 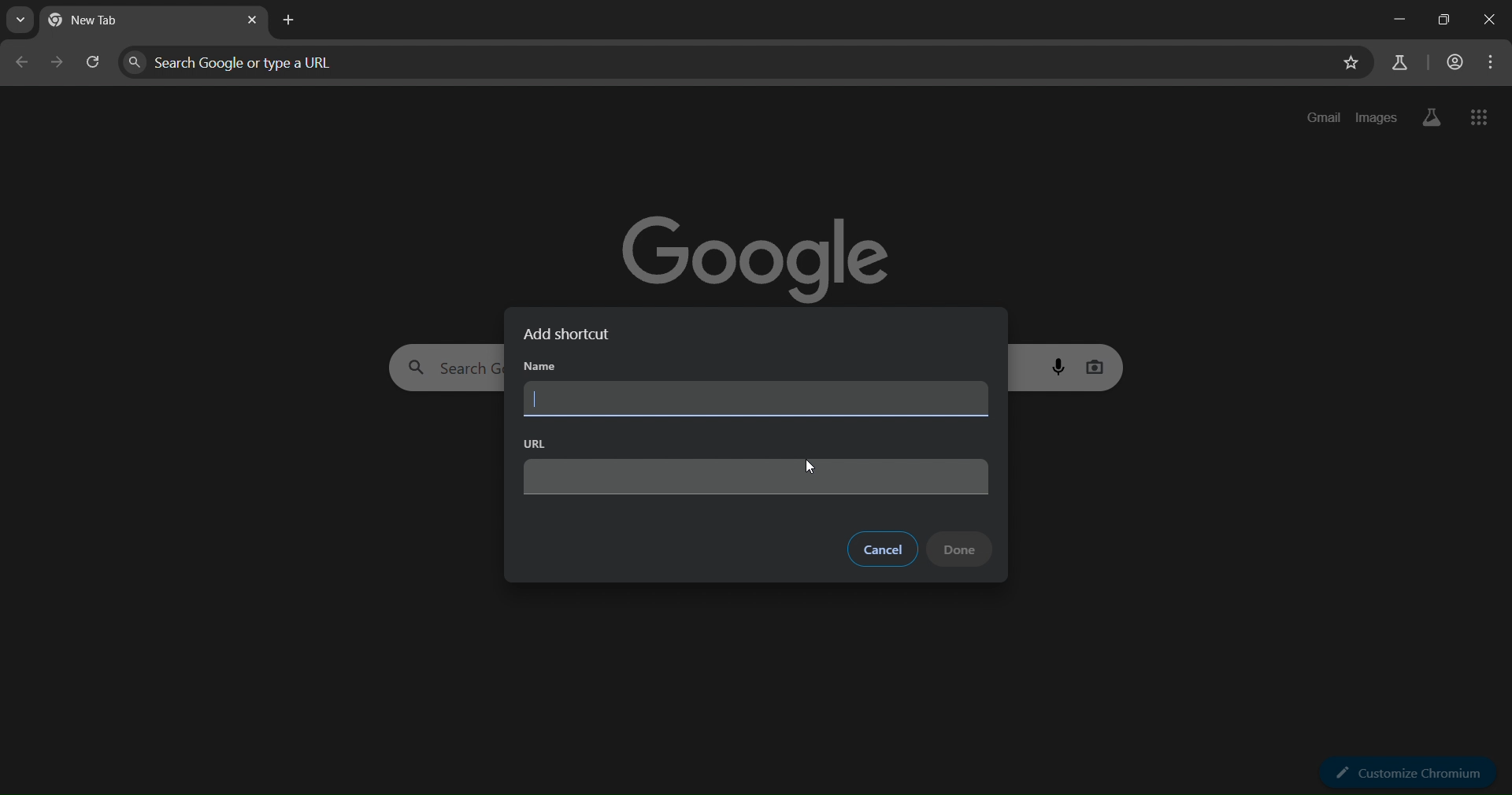 I want to click on account, so click(x=1454, y=63).